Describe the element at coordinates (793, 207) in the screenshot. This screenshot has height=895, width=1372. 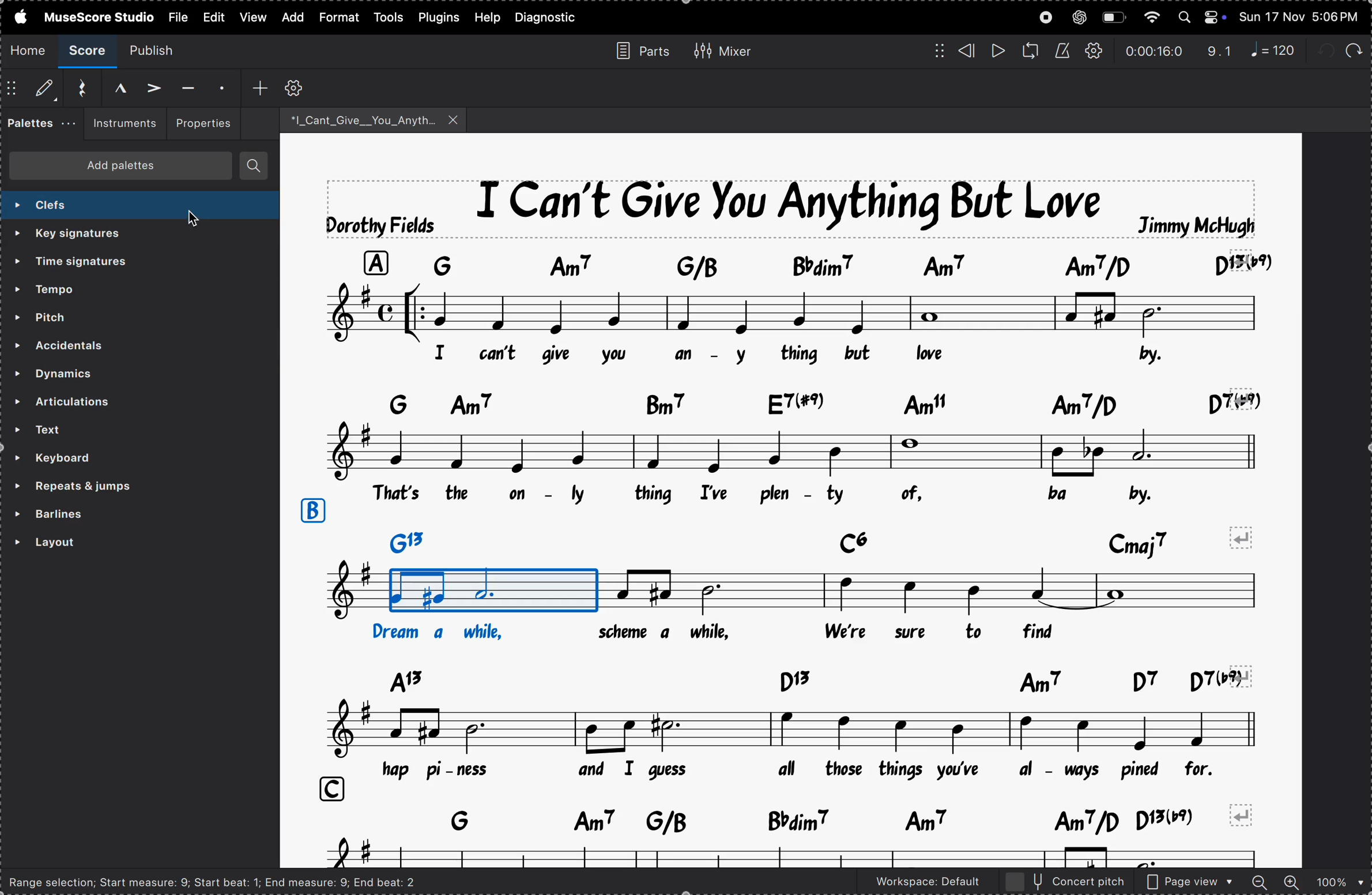
I see `title` at that location.